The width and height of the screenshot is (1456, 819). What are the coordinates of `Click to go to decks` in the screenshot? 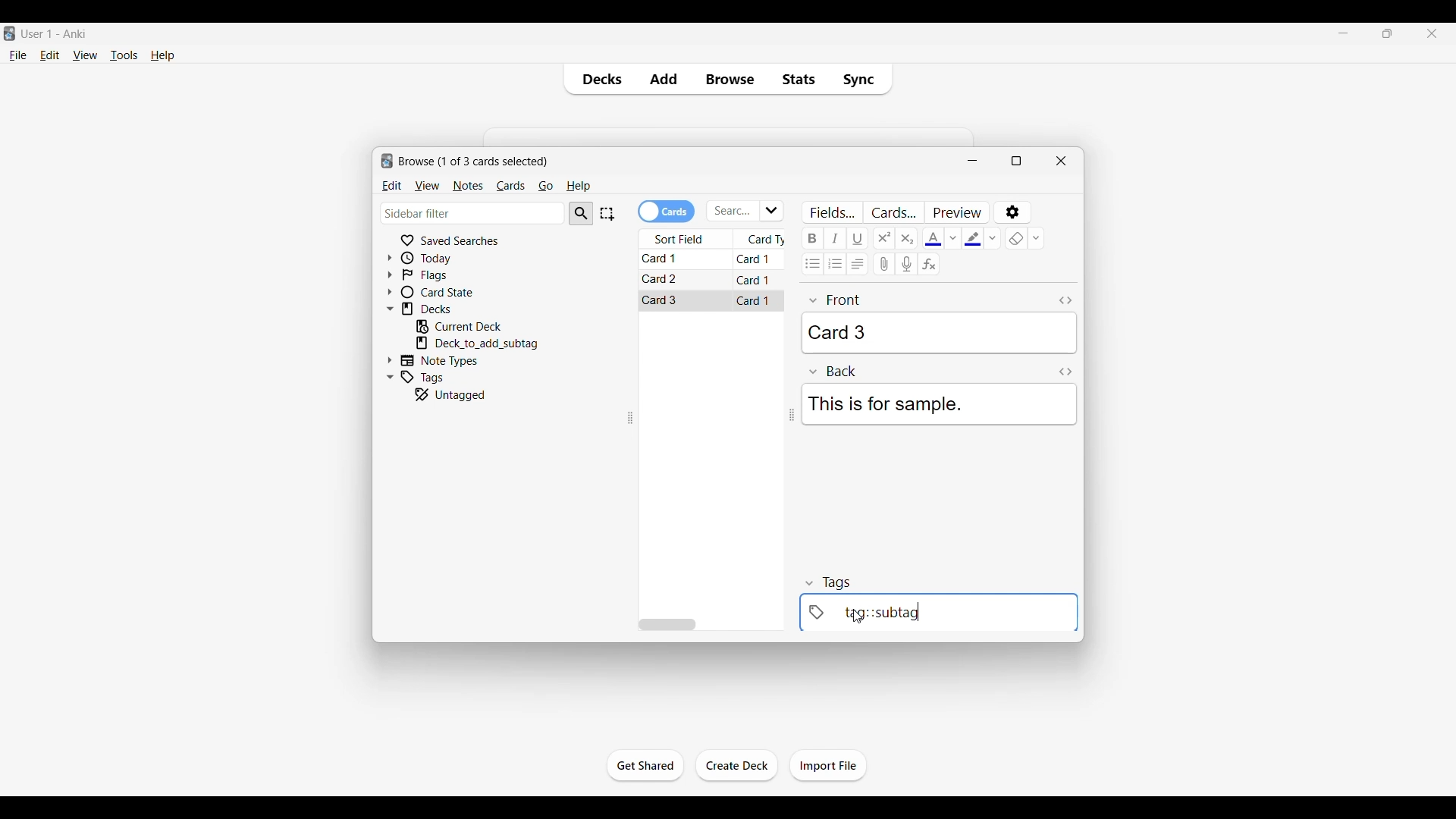 It's located at (450, 309).